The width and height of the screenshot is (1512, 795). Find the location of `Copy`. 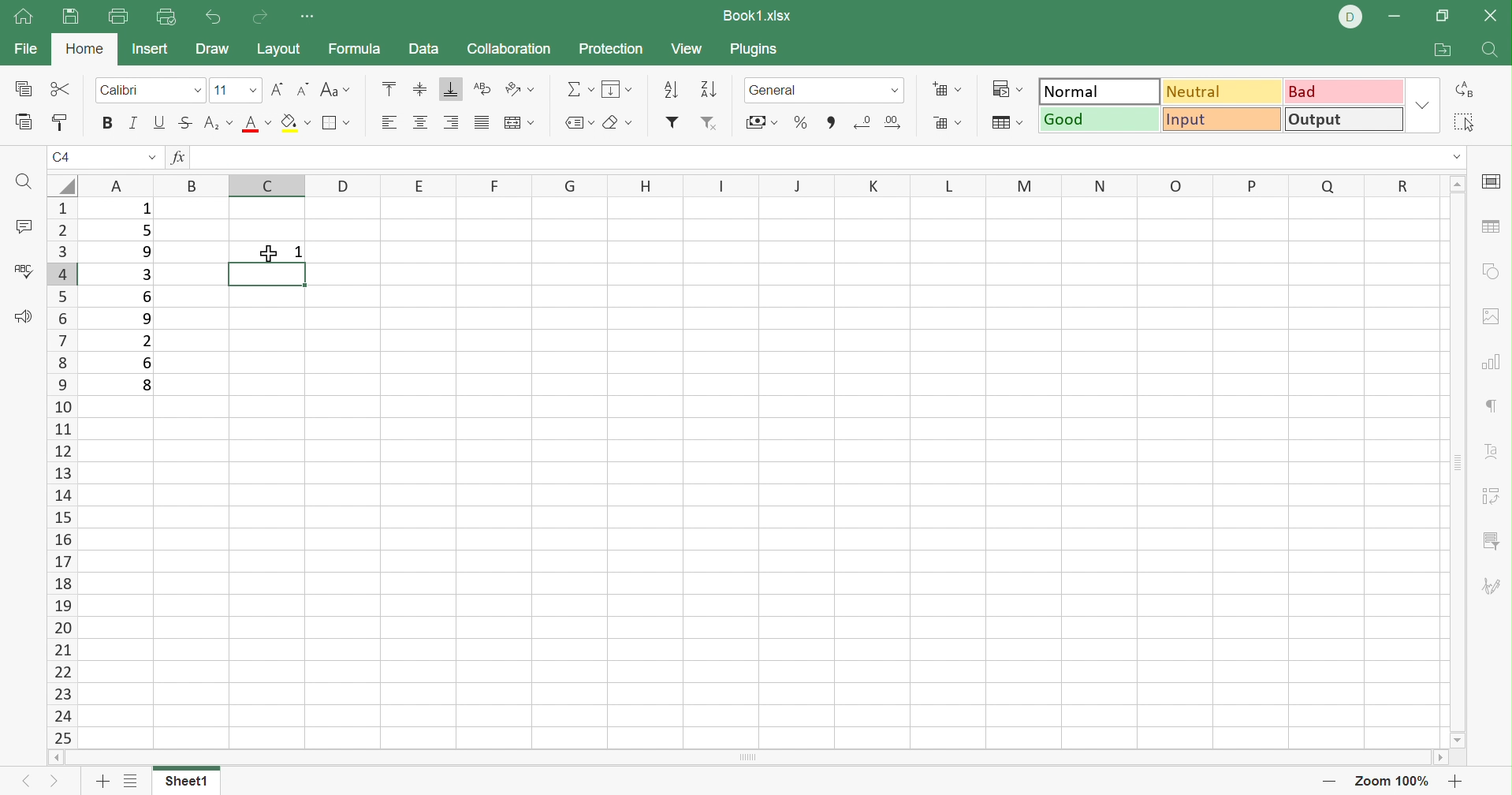

Copy is located at coordinates (20, 90).